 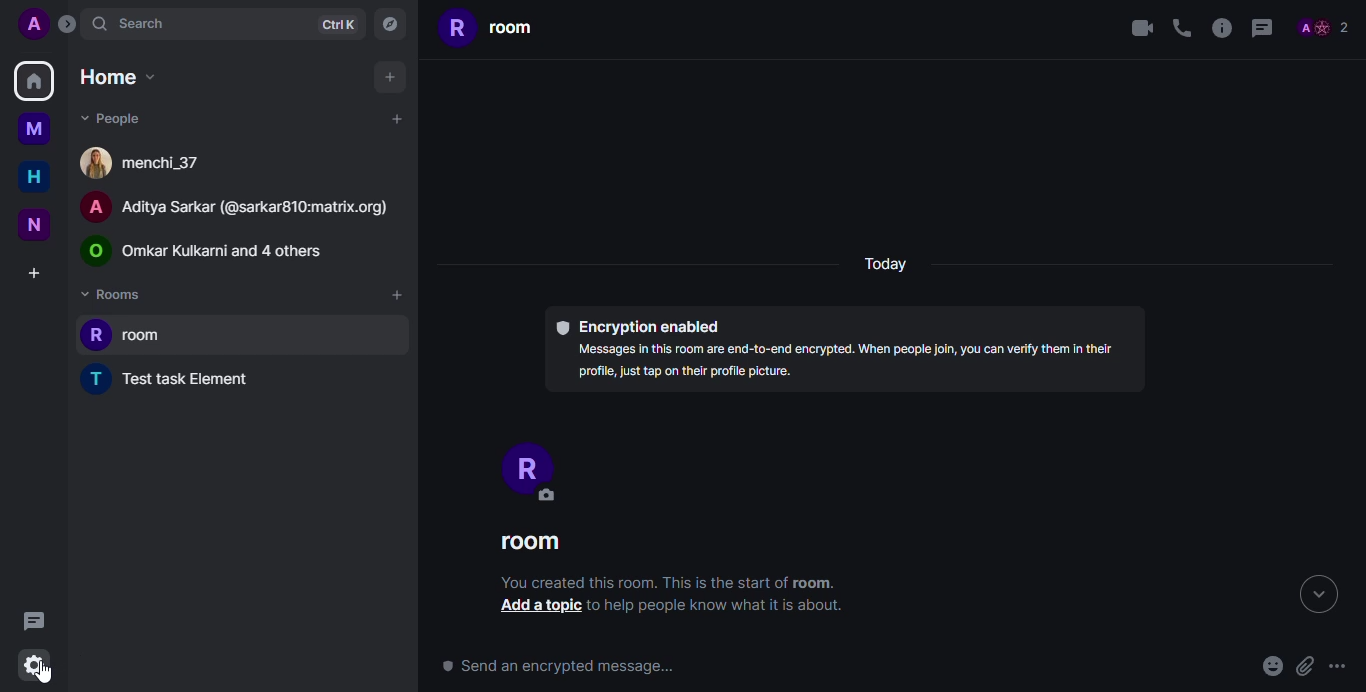 What do you see at coordinates (35, 24) in the screenshot?
I see `profile` at bounding box center [35, 24].